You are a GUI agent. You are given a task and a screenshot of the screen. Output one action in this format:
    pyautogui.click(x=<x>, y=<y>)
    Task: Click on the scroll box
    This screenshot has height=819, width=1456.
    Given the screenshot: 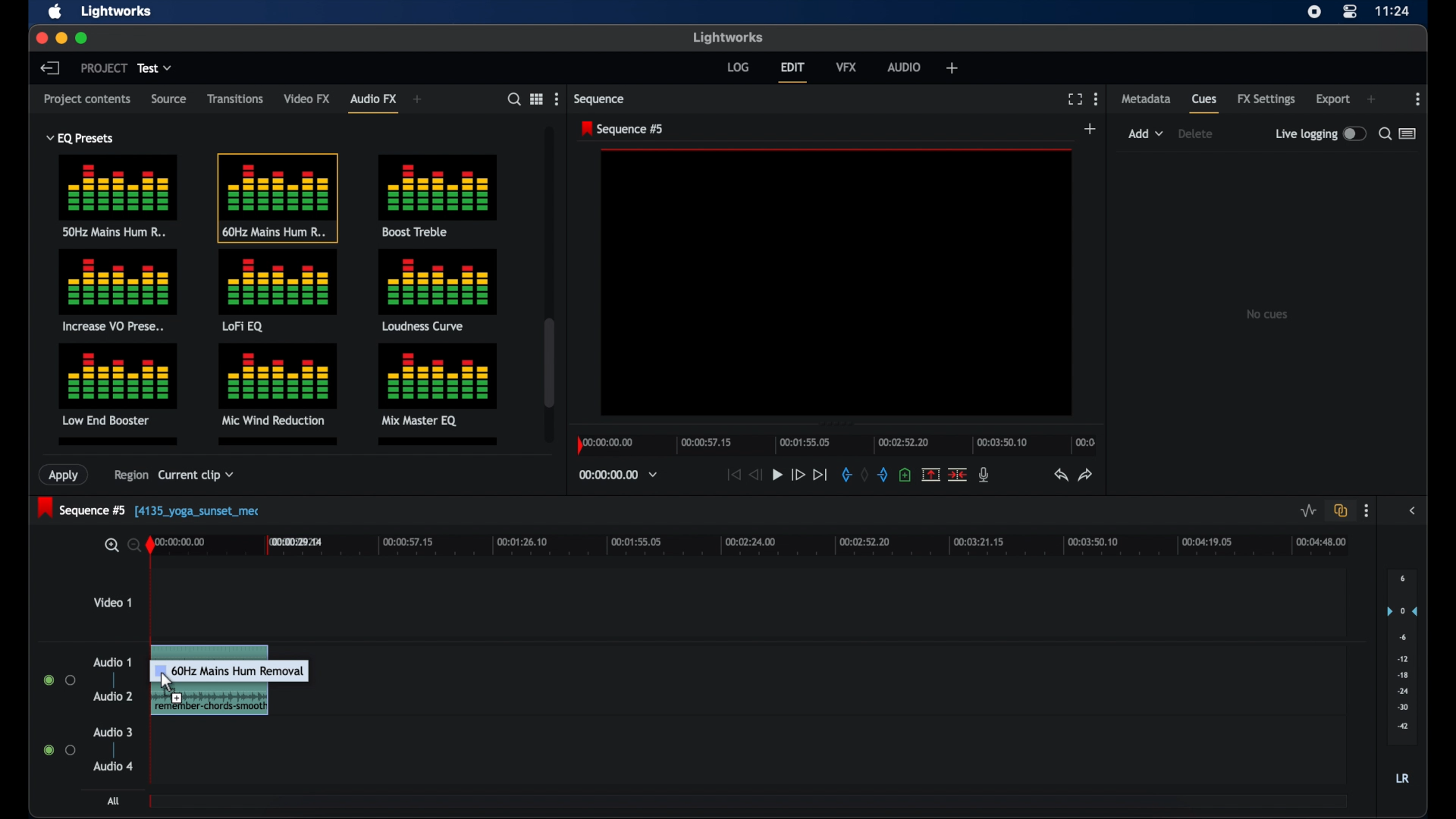 What is the action you would take?
    pyautogui.click(x=549, y=362)
    